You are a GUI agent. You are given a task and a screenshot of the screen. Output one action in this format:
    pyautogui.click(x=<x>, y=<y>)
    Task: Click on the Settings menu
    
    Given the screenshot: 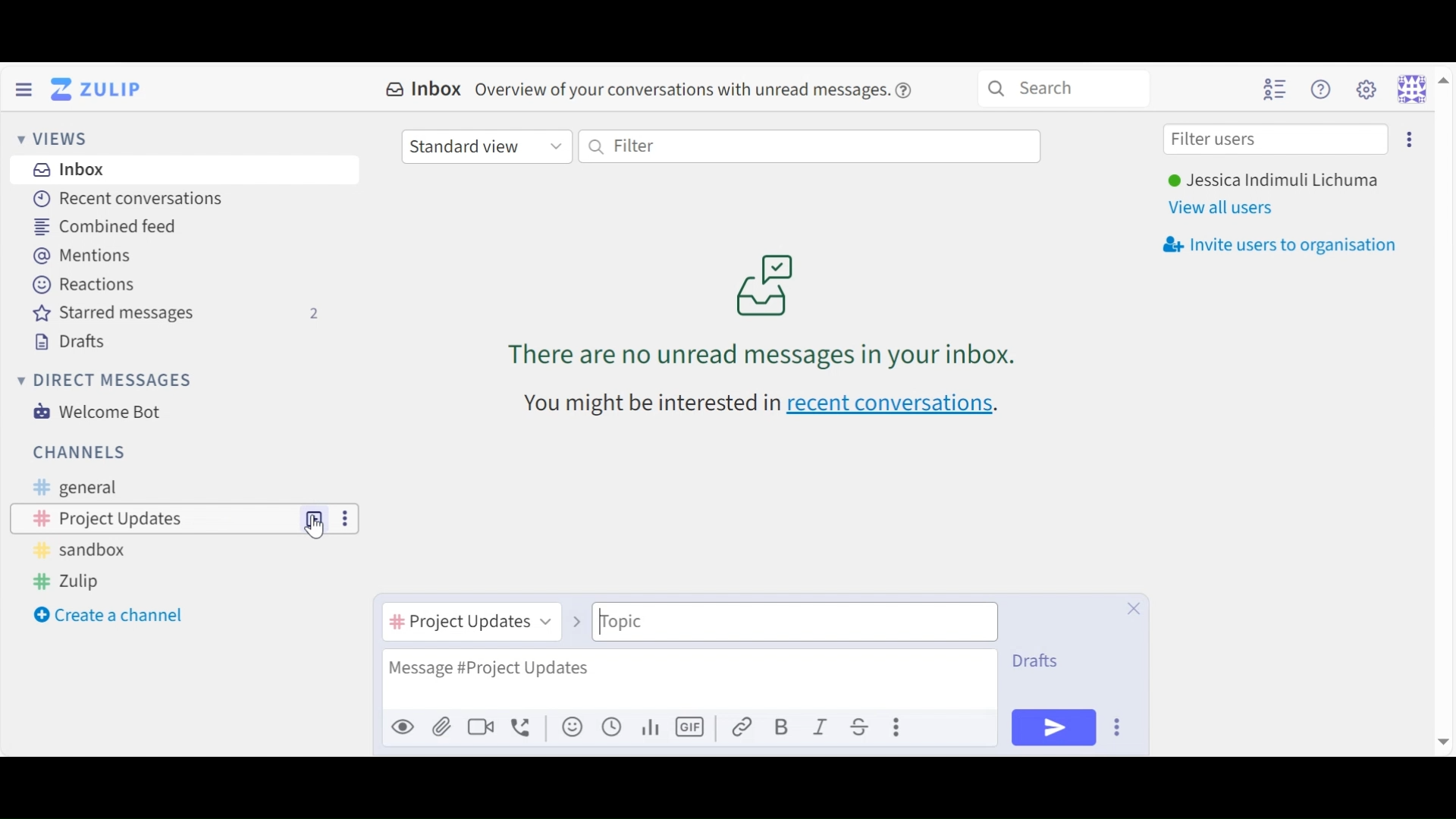 What is the action you would take?
    pyautogui.click(x=1366, y=88)
    